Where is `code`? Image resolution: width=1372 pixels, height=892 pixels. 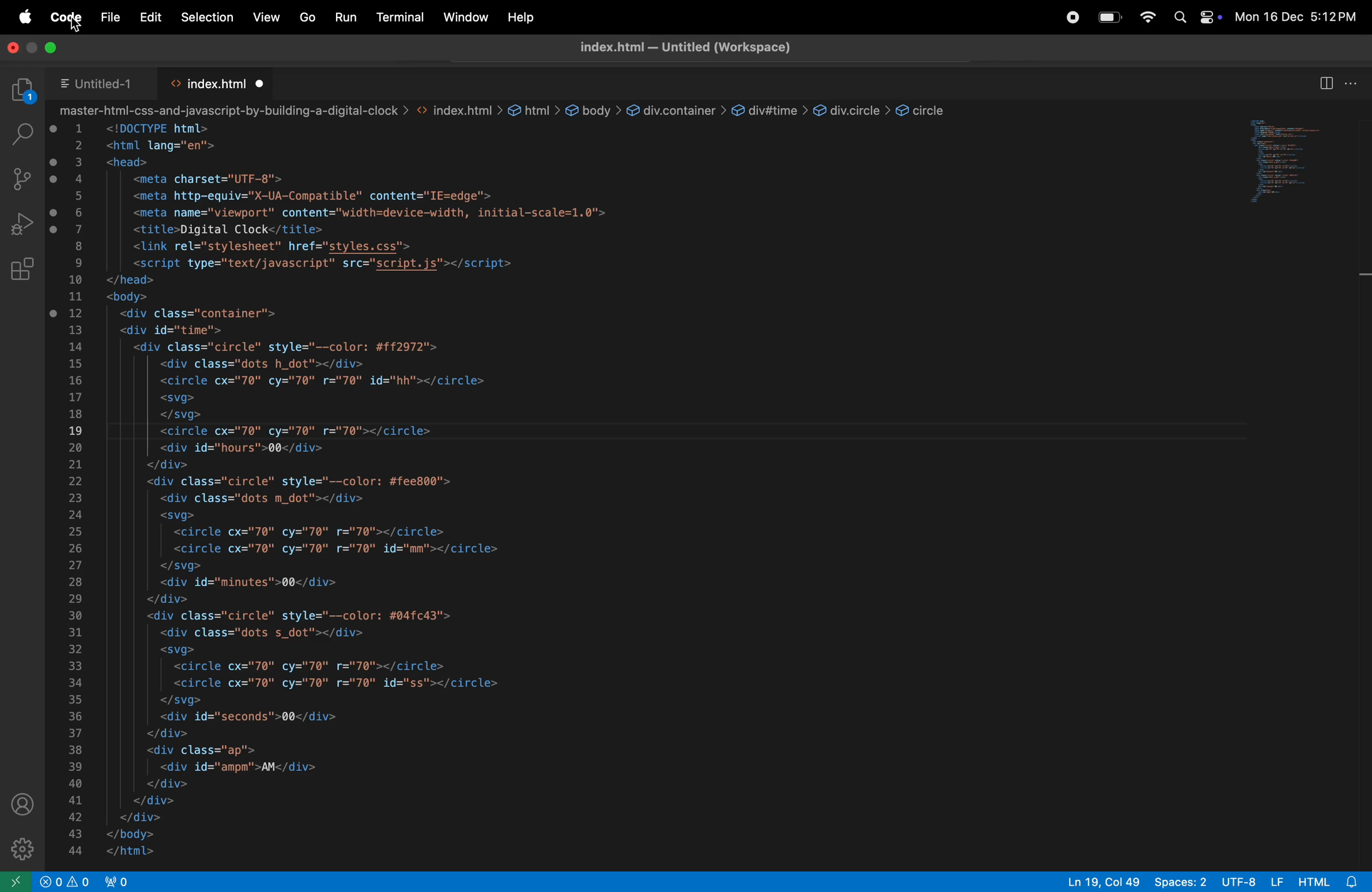
code is located at coordinates (64, 19).